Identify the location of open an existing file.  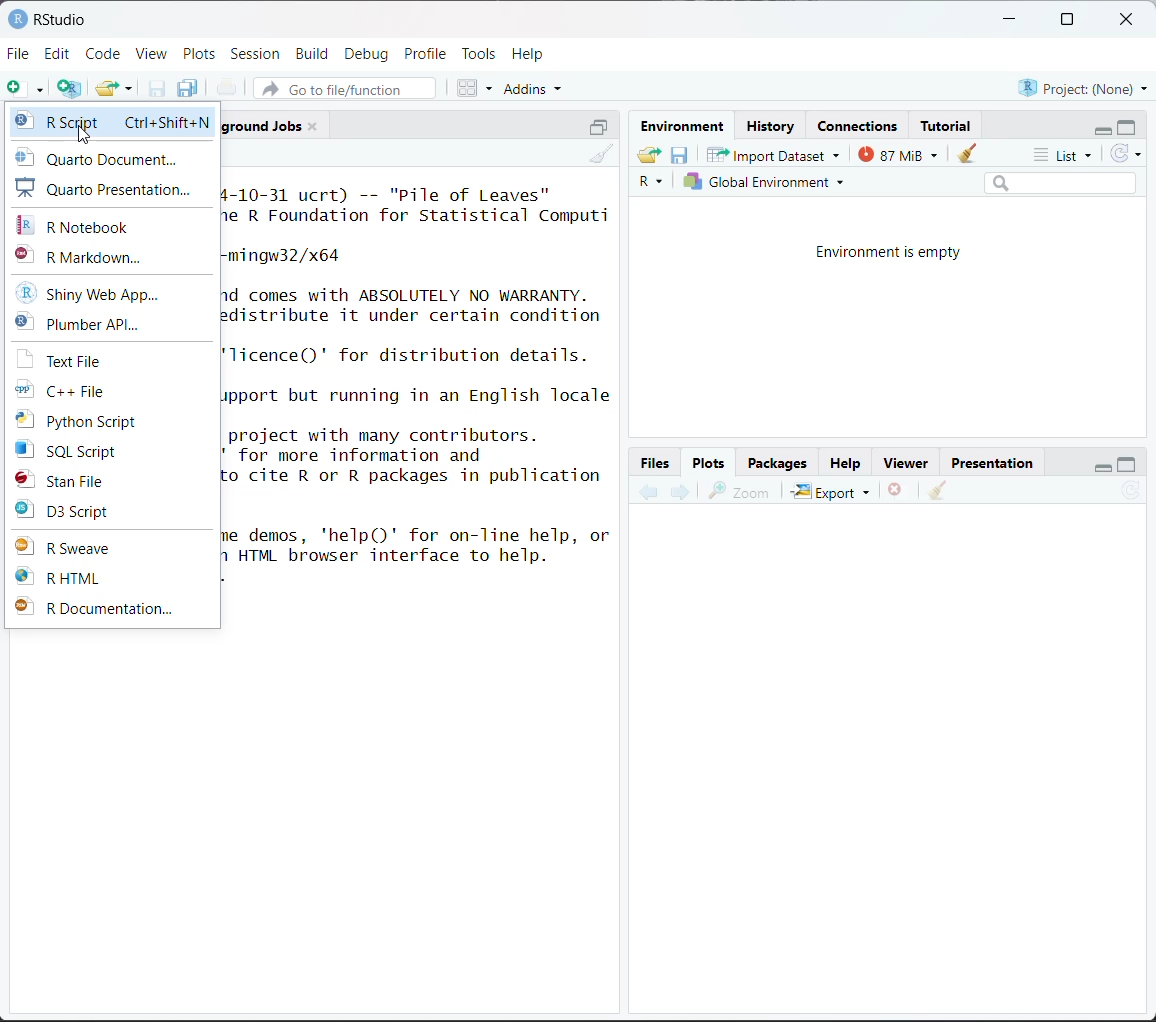
(107, 85).